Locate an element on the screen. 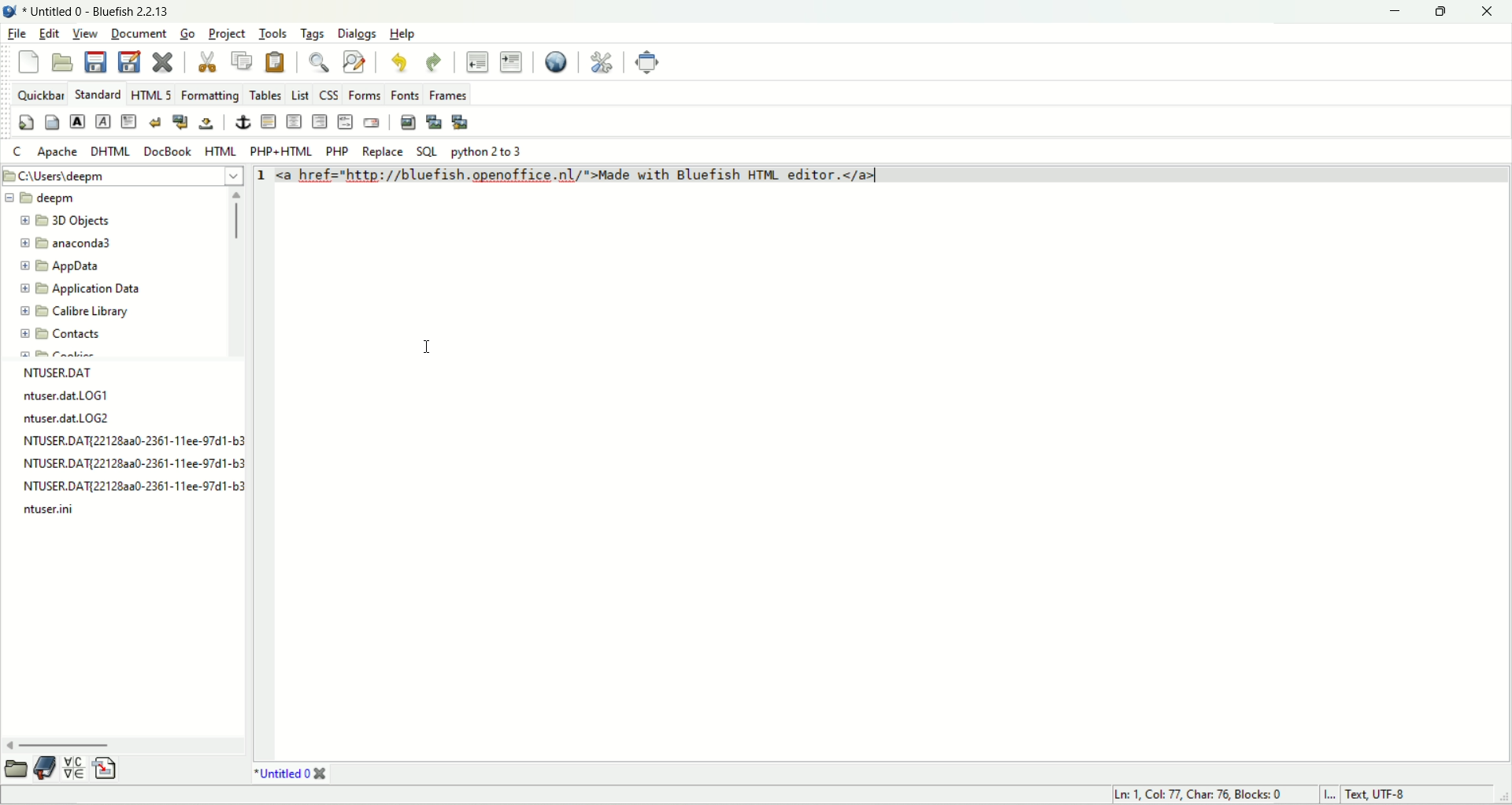 The height and width of the screenshot is (805, 1512). CSS is located at coordinates (332, 93).